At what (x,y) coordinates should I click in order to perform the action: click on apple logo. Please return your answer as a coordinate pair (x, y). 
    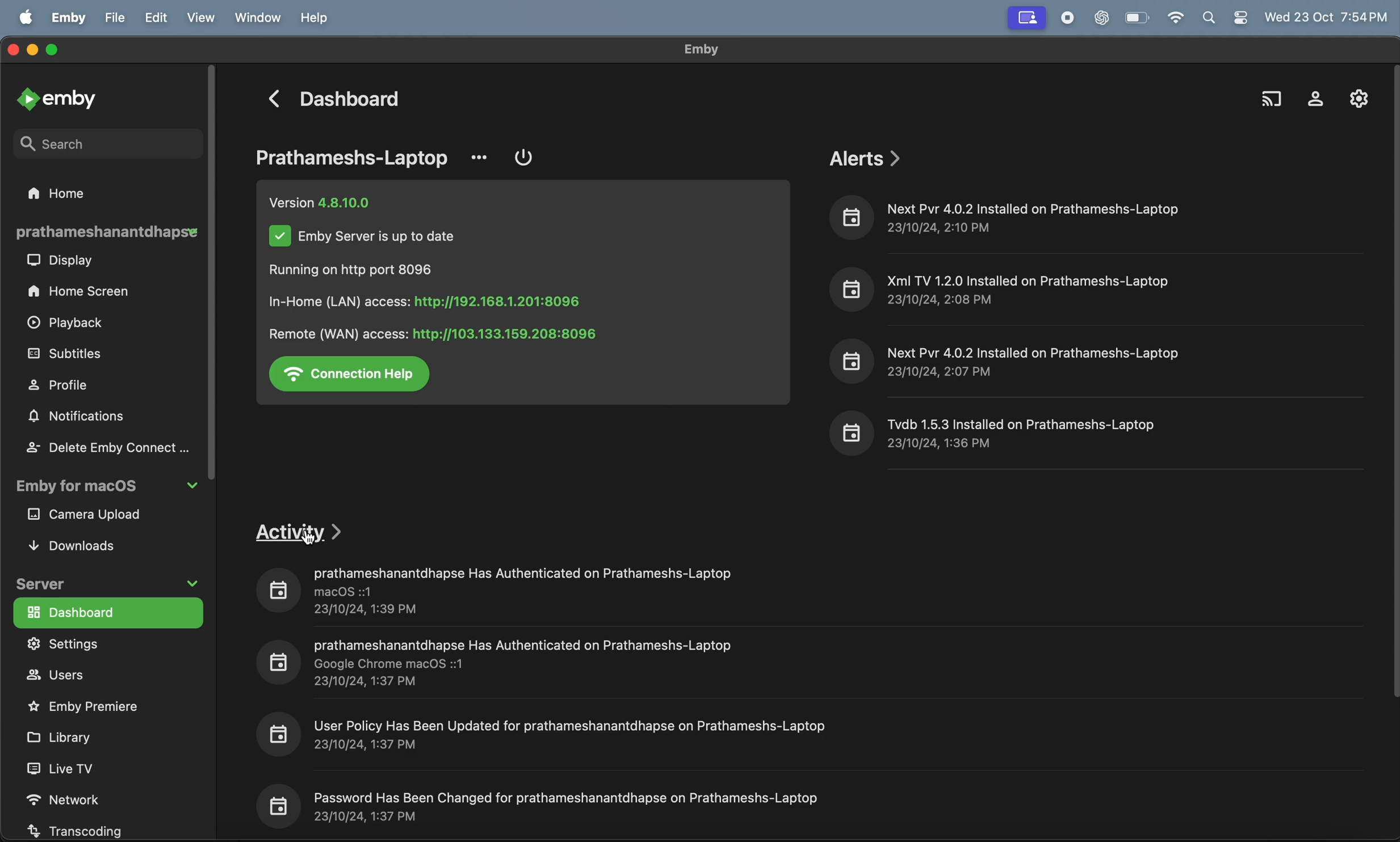
    Looking at the image, I should click on (27, 16).